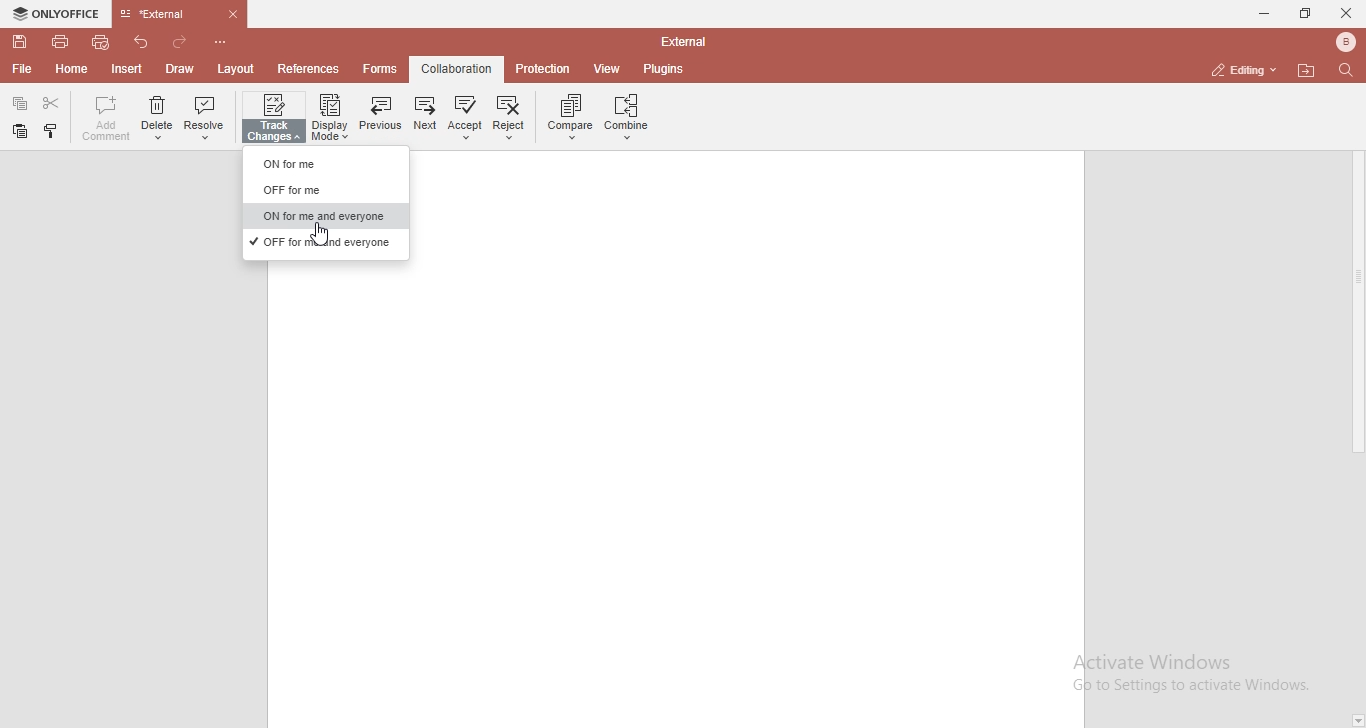  Describe the element at coordinates (141, 42) in the screenshot. I see `undo` at that location.